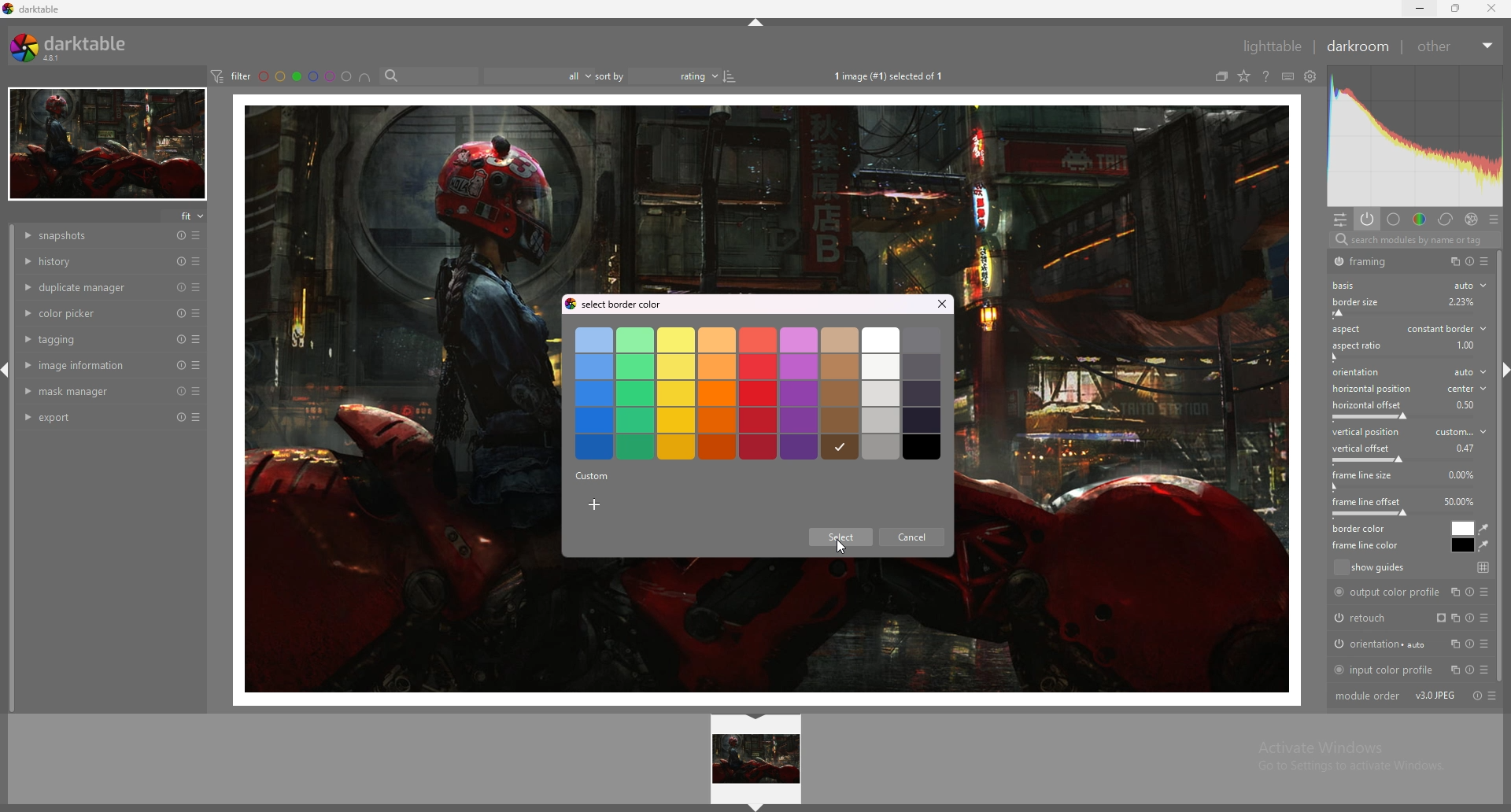 This screenshot has height=812, width=1511. What do you see at coordinates (1409, 668) in the screenshot?
I see `input color profile` at bounding box center [1409, 668].